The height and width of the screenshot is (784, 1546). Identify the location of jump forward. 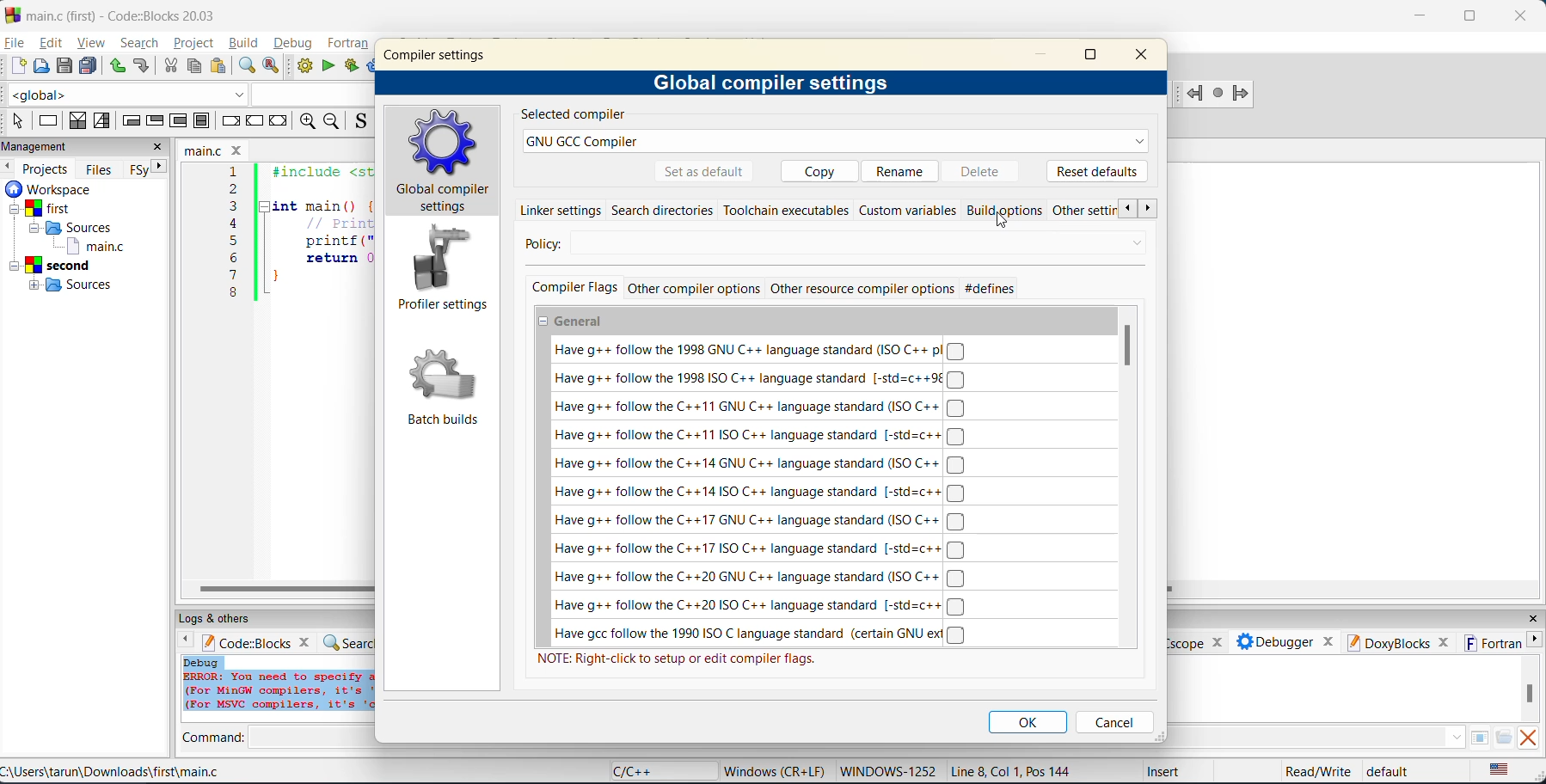
(1242, 95).